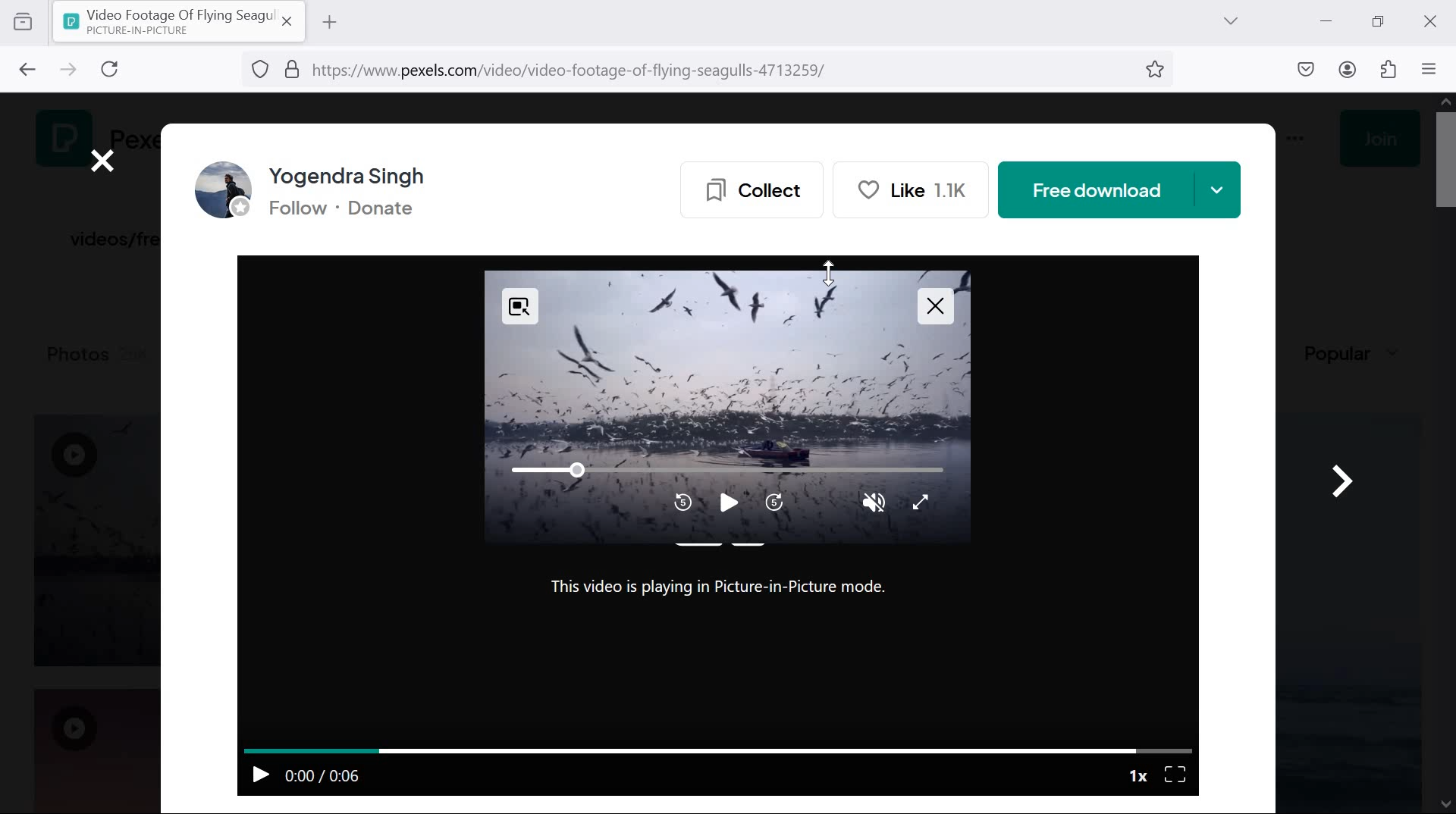  What do you see at coordinates (1341, 475) in the screenshot?
I see `go next` at bounding box center [1341, 475].